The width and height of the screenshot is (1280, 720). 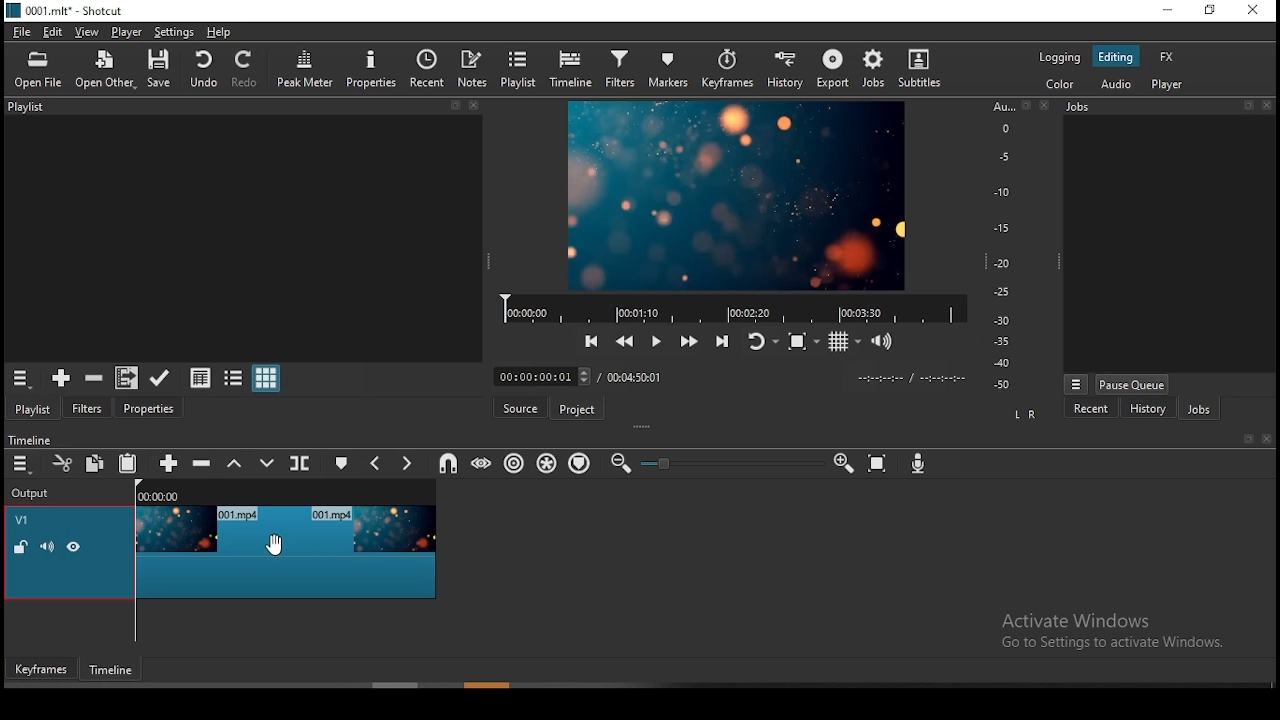 What do you see at coordinates (918, 463) in the screenshot?
I see `record audio` at bounding box center [918, 463].